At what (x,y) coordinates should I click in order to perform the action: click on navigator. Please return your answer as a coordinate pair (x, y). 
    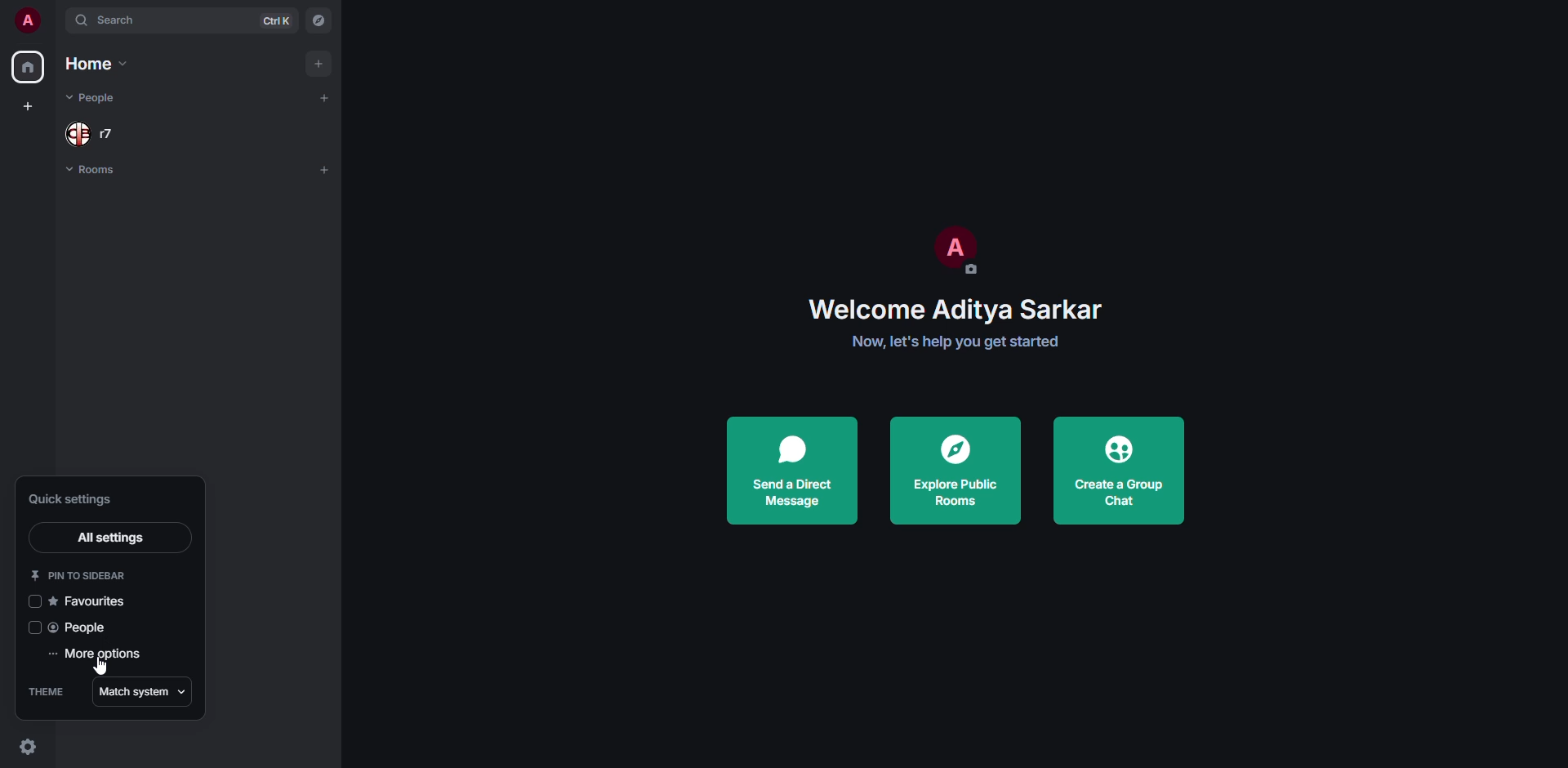
    Looking at the image, I should click on (317, 23).